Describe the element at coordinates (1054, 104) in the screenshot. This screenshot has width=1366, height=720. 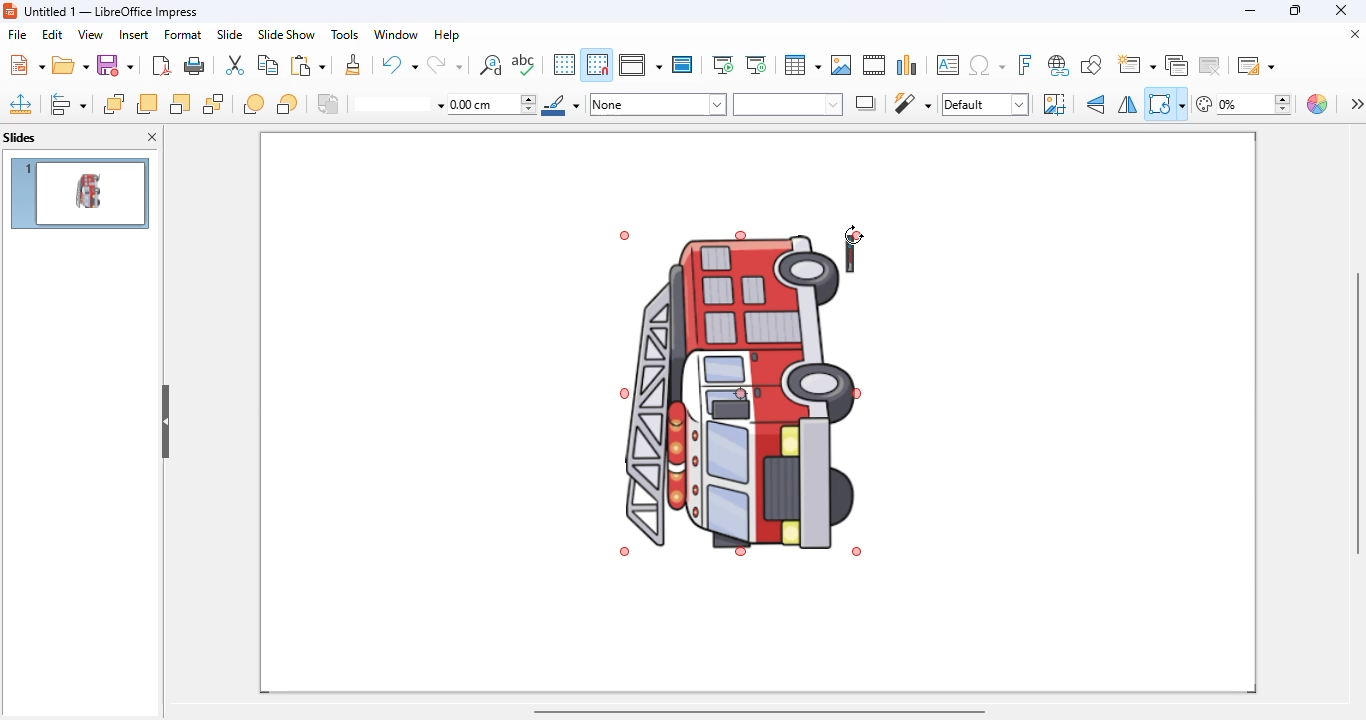
I see `crop image` at that location.